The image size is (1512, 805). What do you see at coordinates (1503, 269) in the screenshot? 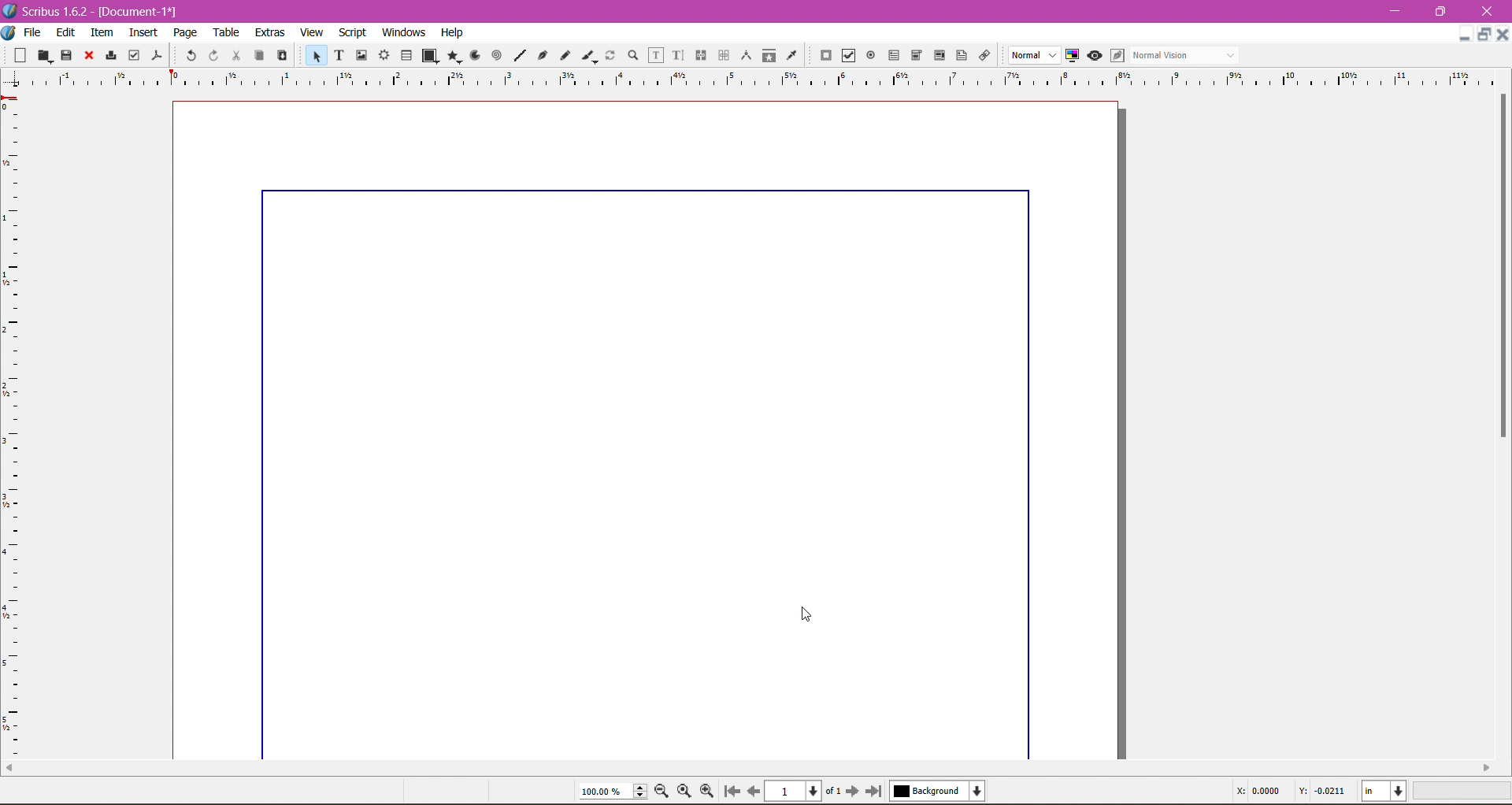
I see `Vertical Scroll Bar` at bounding box center [1503, 269].